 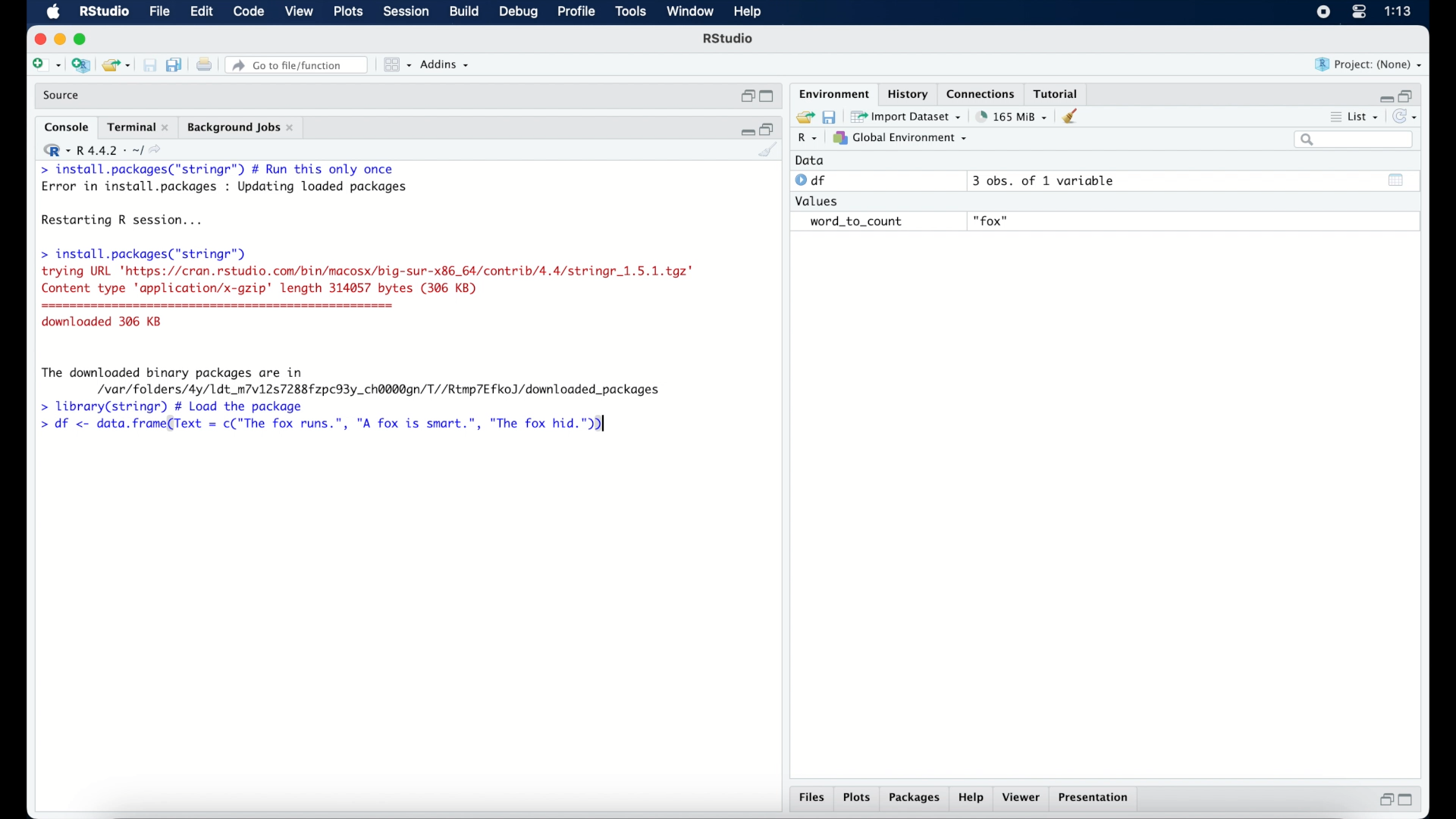 I want to click on presentation, so click(x=1096, y=799).